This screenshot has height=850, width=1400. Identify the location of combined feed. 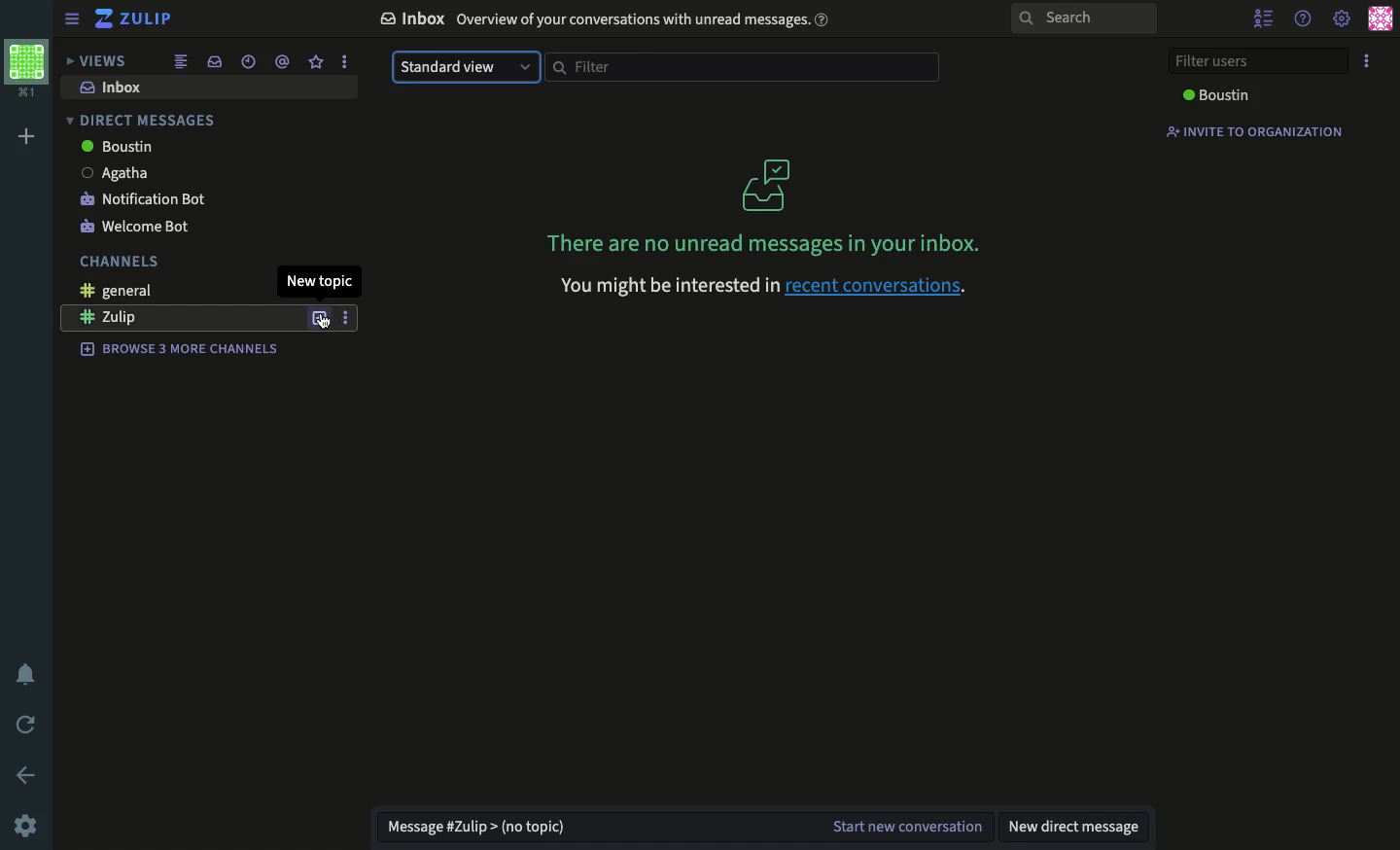
(181, 62).